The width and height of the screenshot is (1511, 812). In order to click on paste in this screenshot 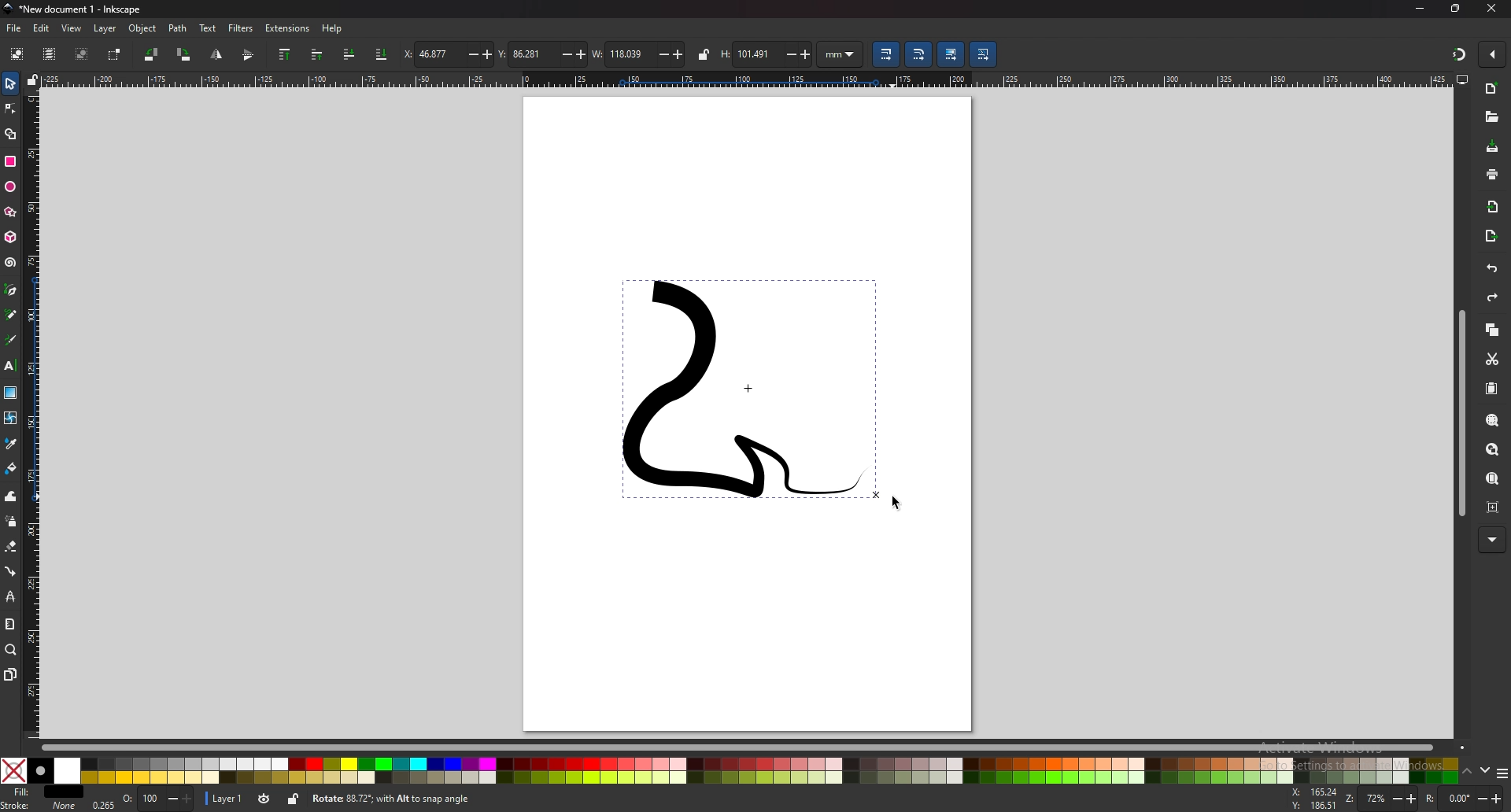, I will do `click(1493, 389)`.